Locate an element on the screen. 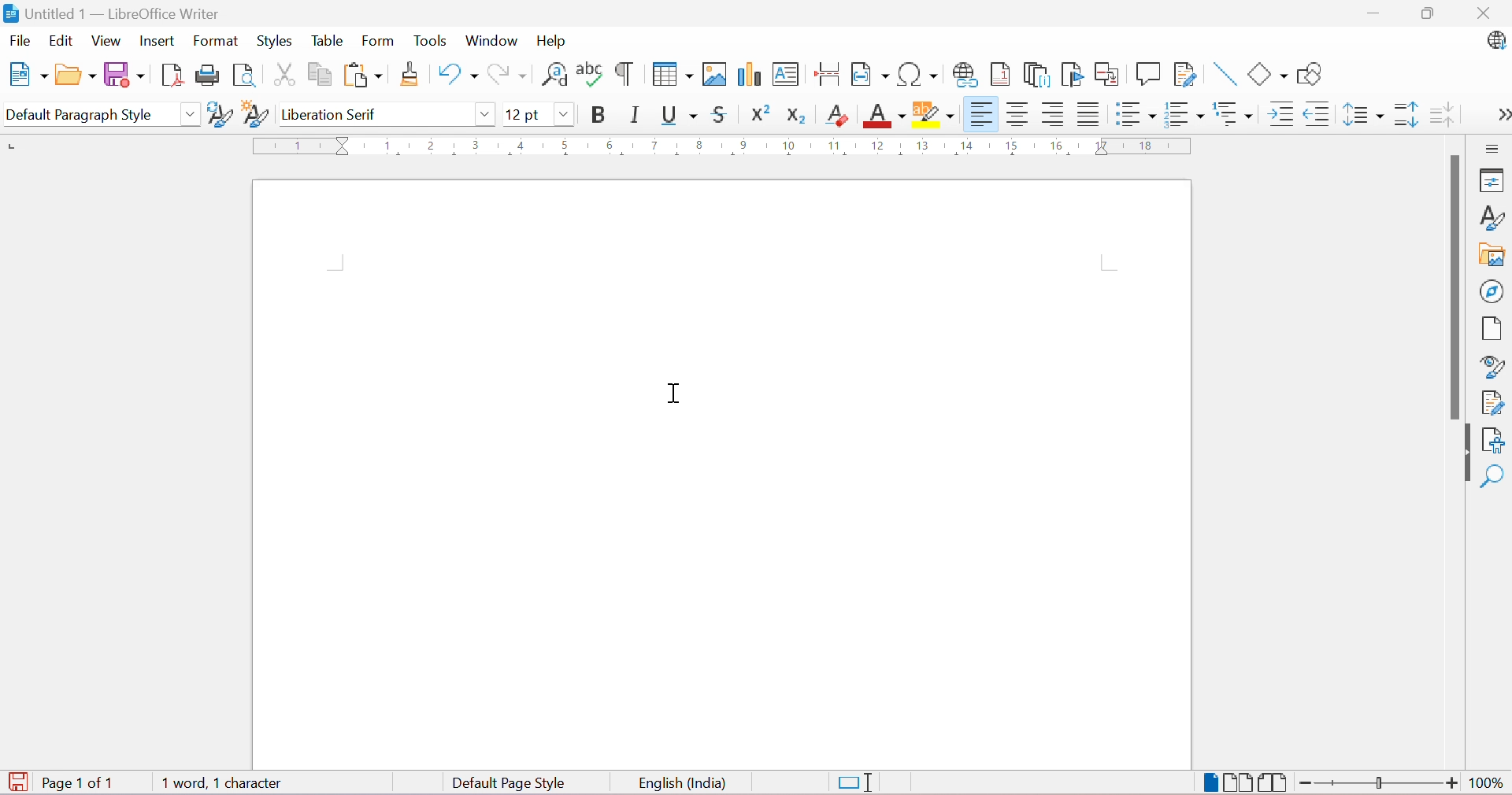  Insert Table is located at coordinates (713, 73).